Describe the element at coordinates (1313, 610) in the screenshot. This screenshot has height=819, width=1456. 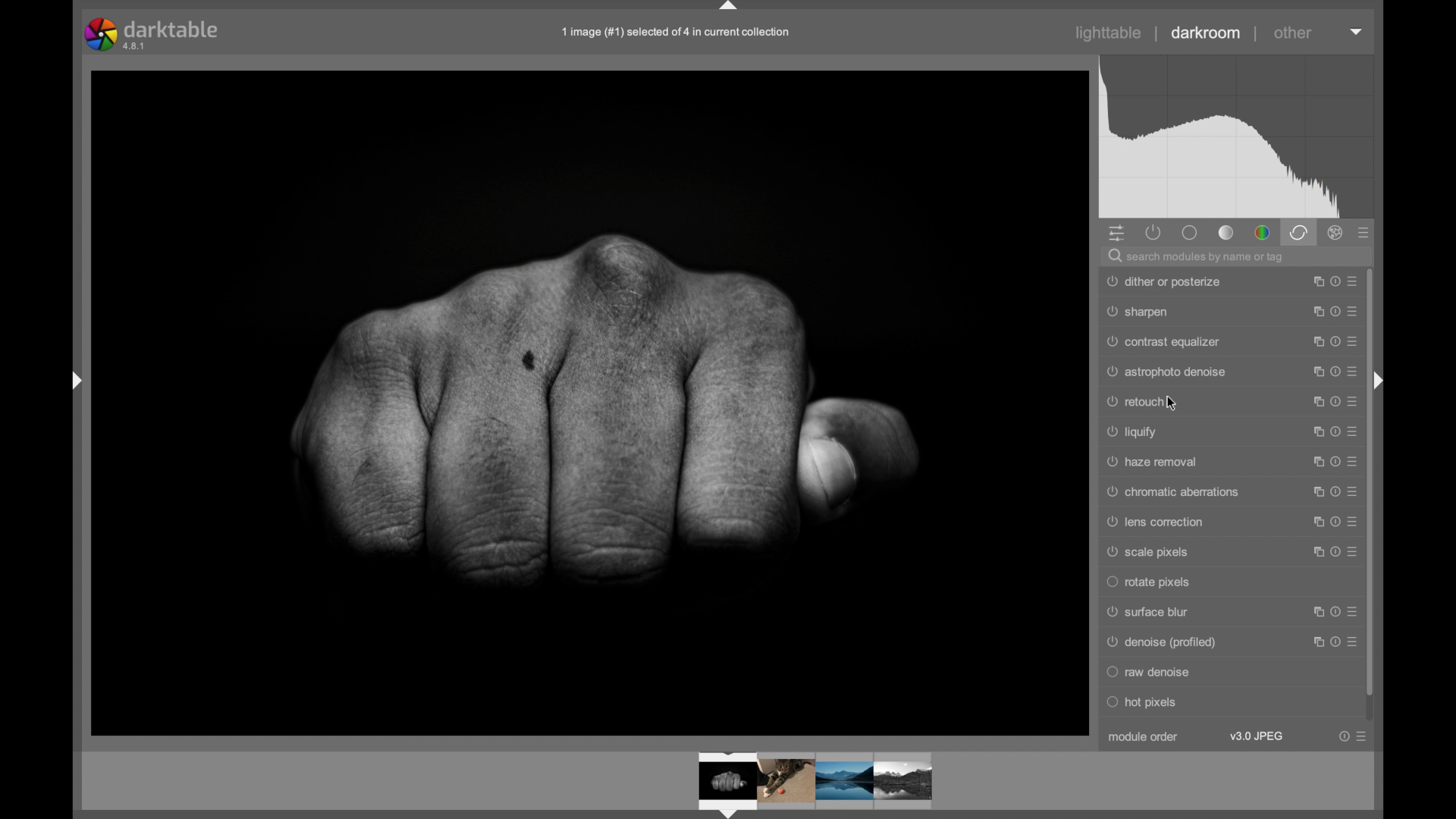
I see `maximize` at that location.